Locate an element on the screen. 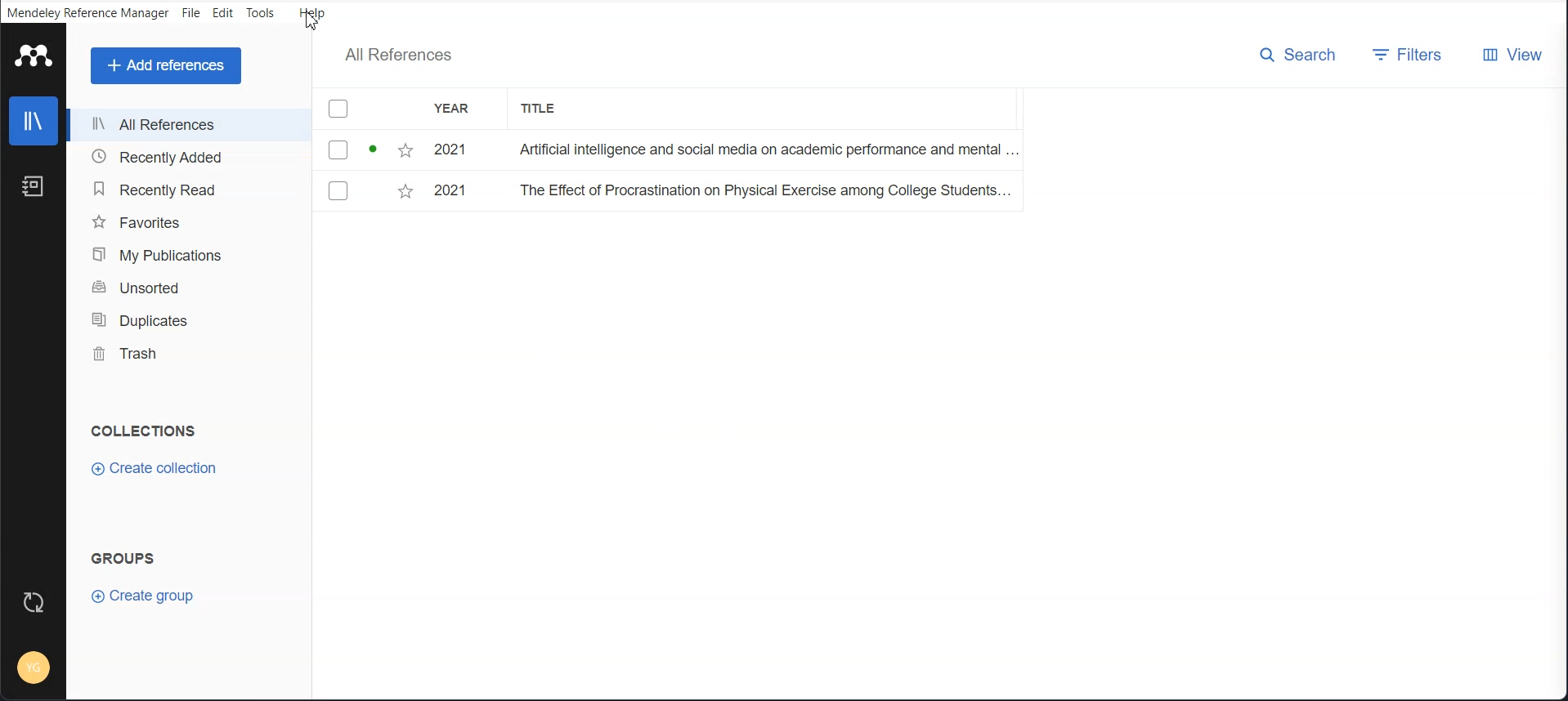 The height and width of the screenshot is (701, 1568). cursor is located at coordinates (314, 24).